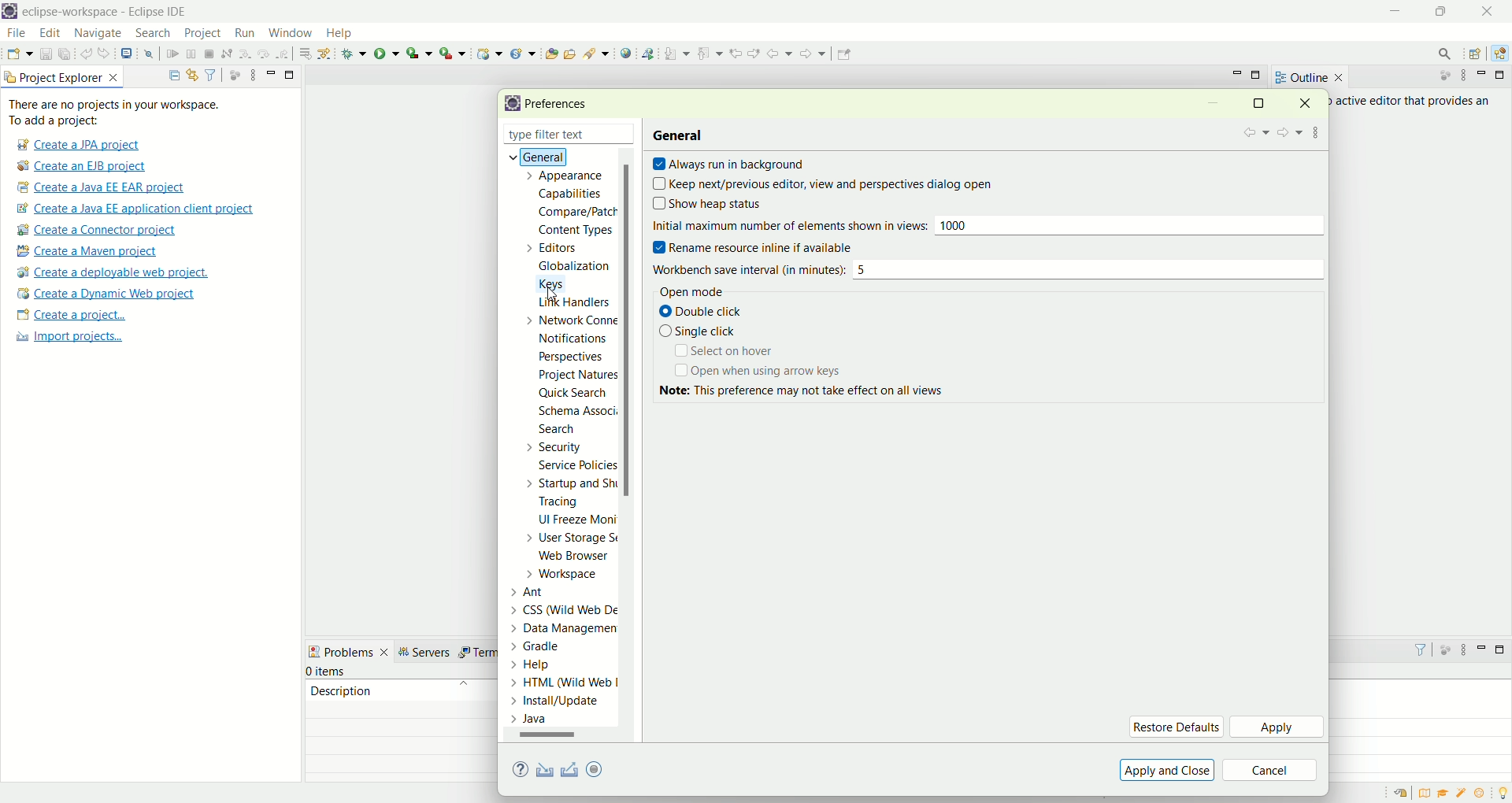 Image resolution: width=1512 pixels, height=803 pixels. I want to click on help, so click(346, 35).